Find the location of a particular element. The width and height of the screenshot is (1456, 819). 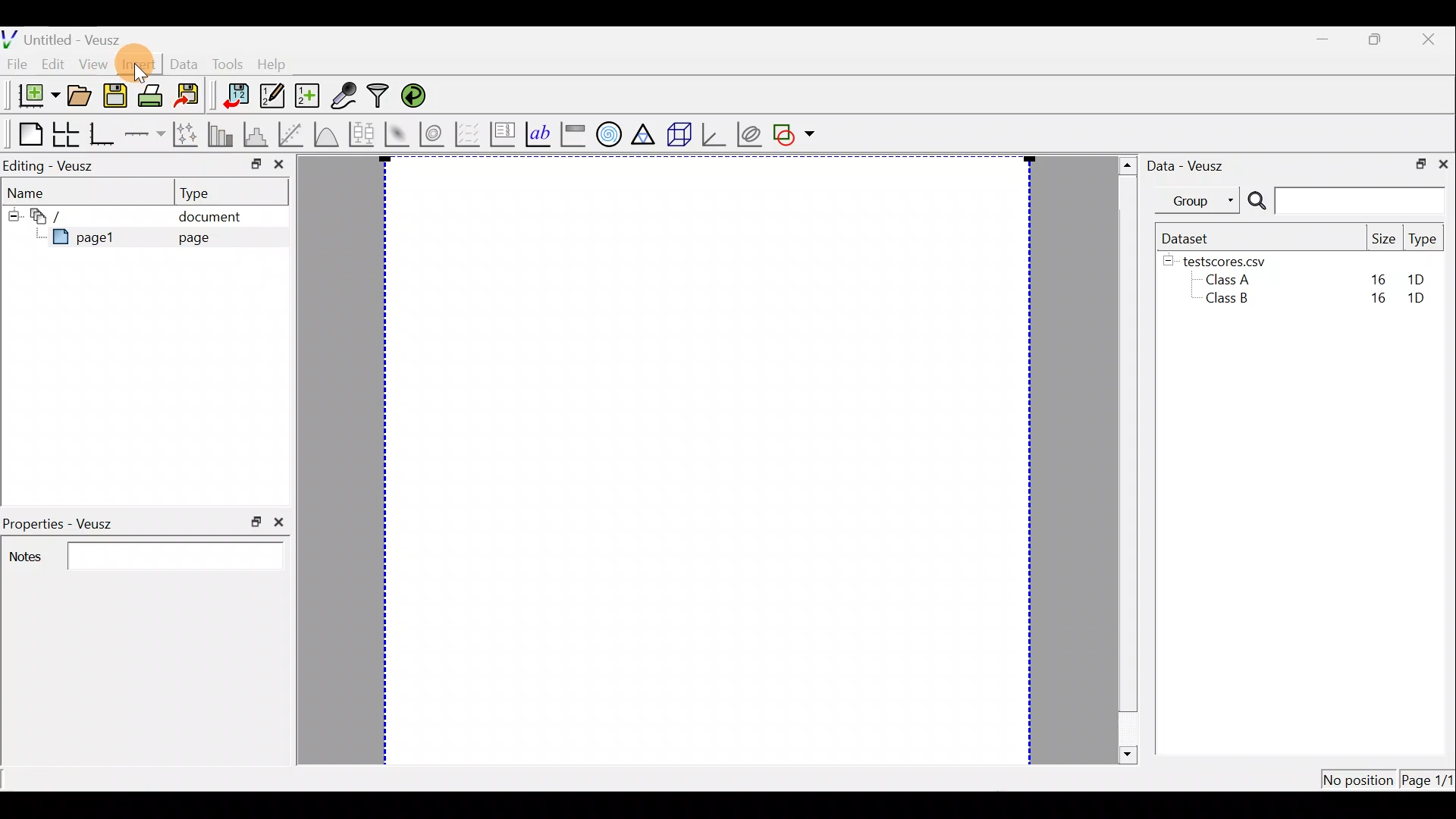

Plot points with lines and error bars is located at coordinates (186, 134).